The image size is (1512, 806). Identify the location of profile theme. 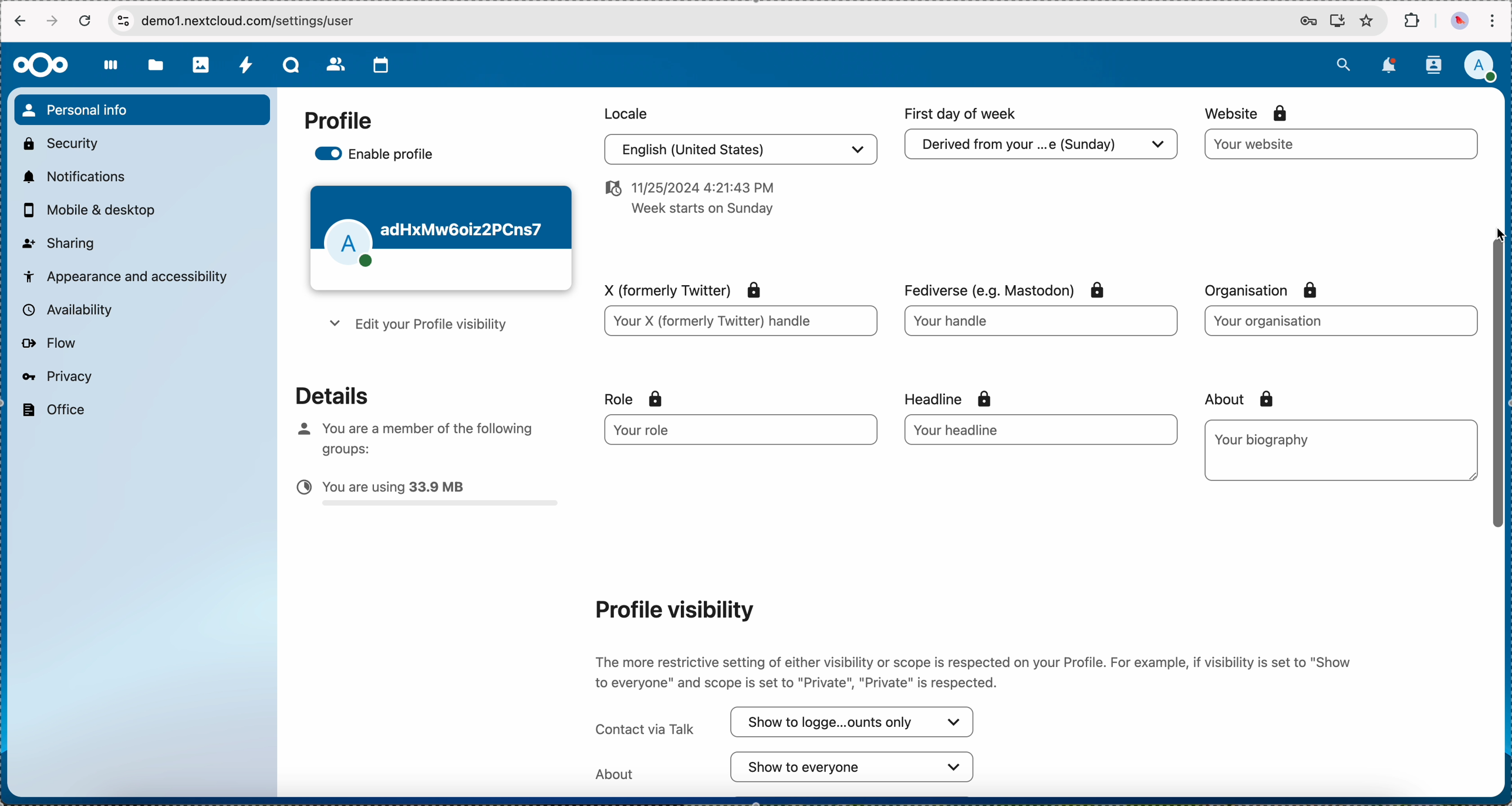
(440, 239).